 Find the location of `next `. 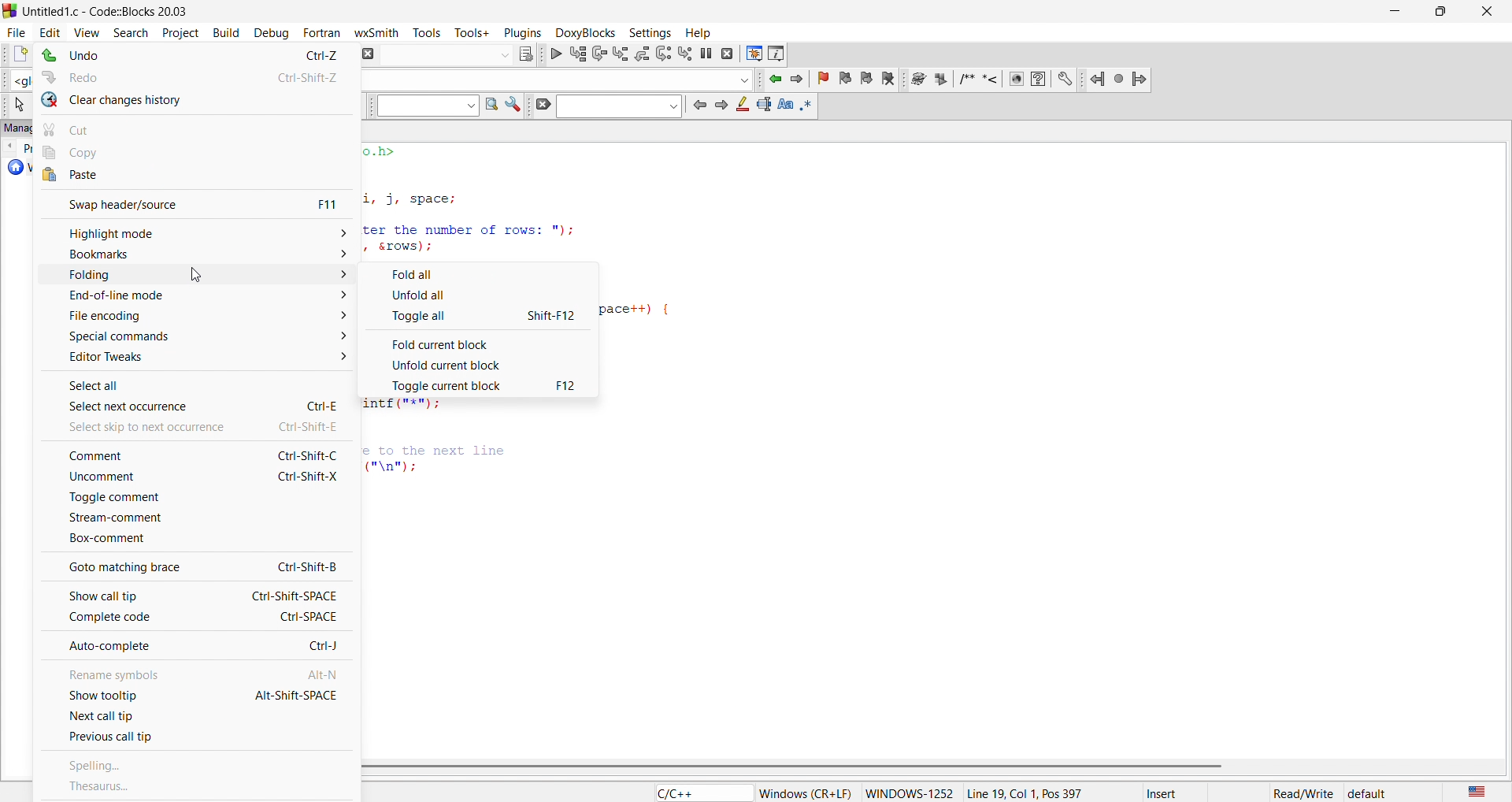

next  is located at coordinates (721, 106).